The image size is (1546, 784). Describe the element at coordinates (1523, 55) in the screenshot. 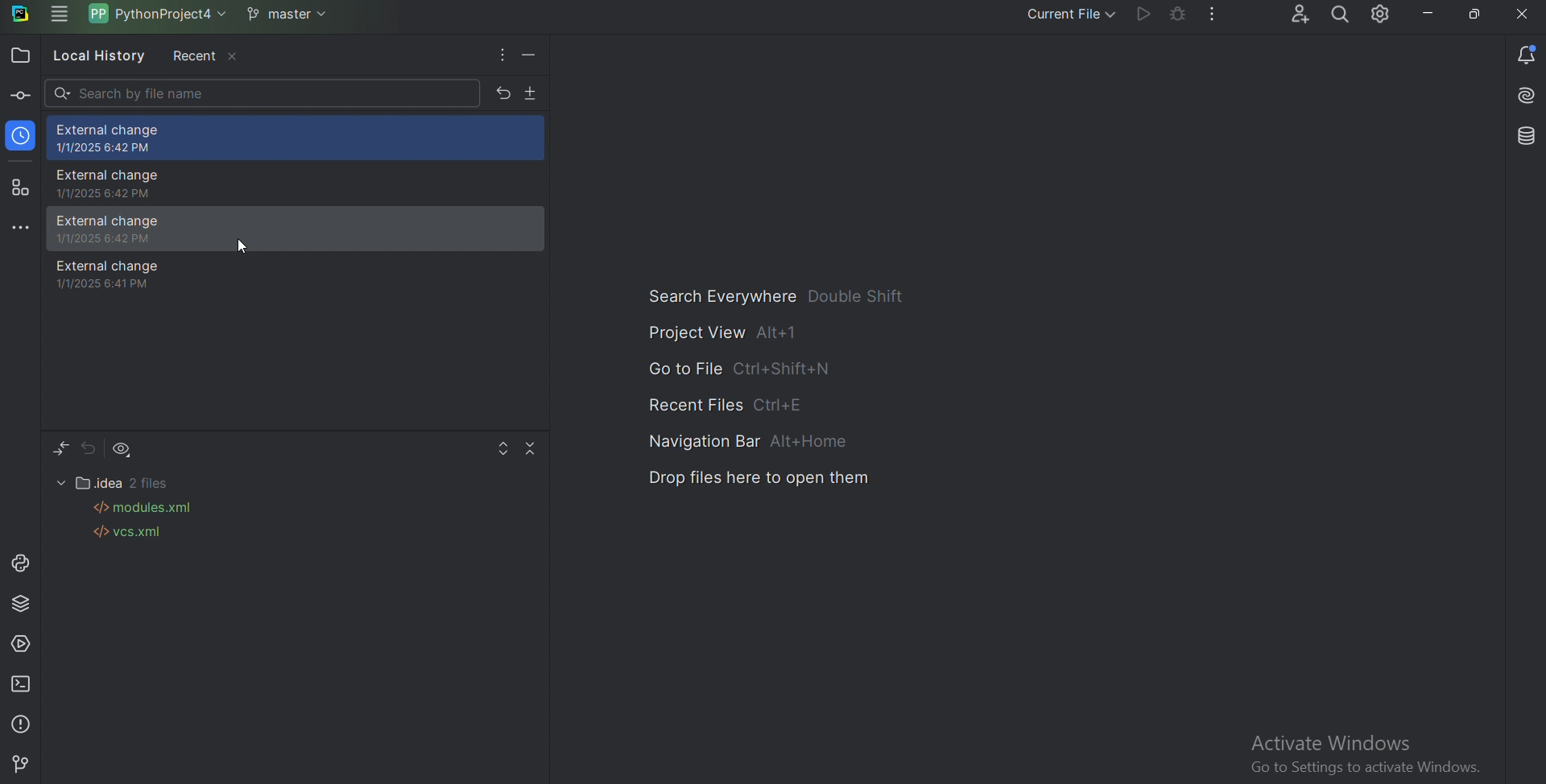

I see `Notification` at that location.